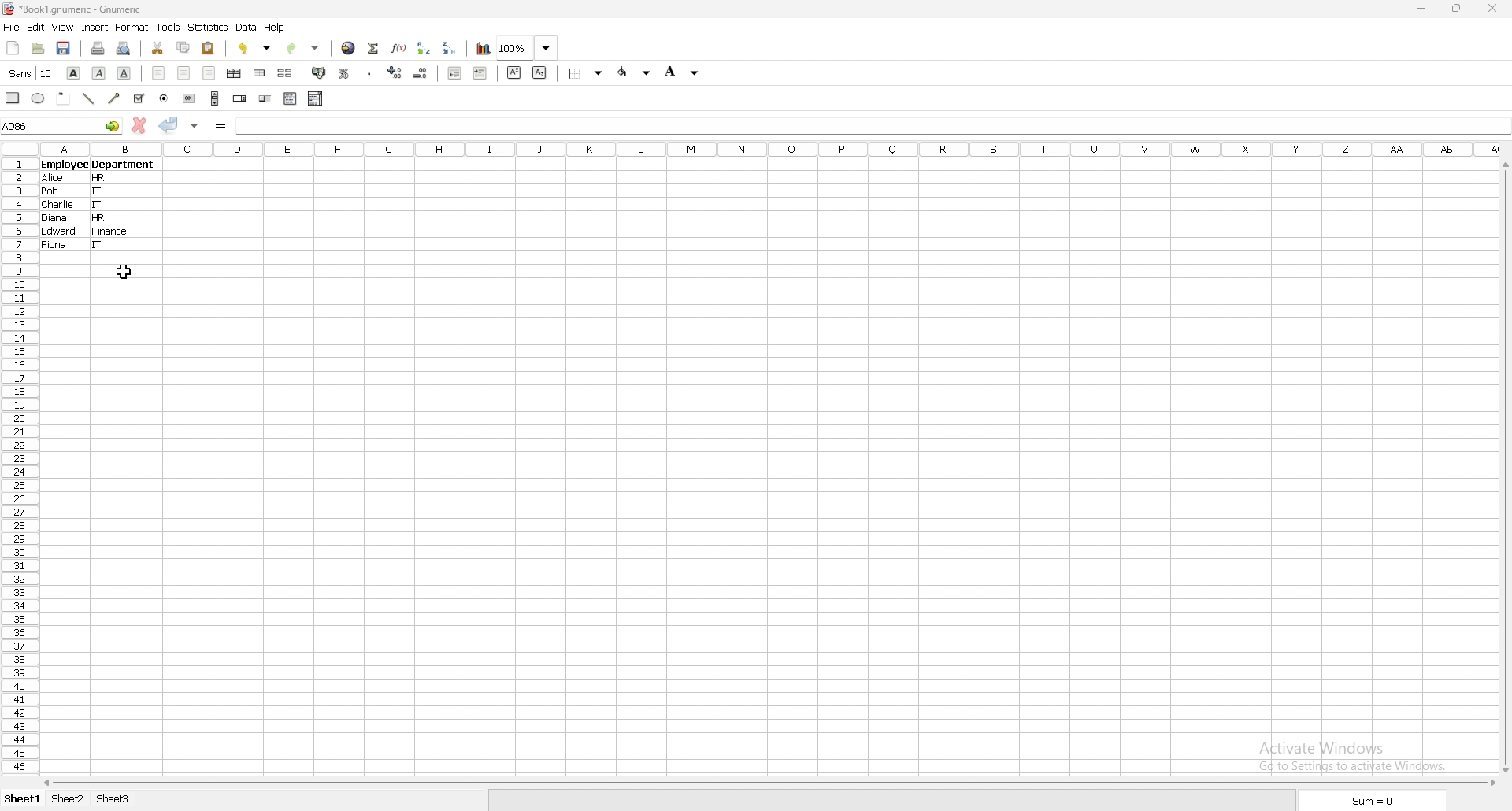 Image resolution: width=1512 pixels, height=811 pixels. I want to click on subscript, so click(539, 72).